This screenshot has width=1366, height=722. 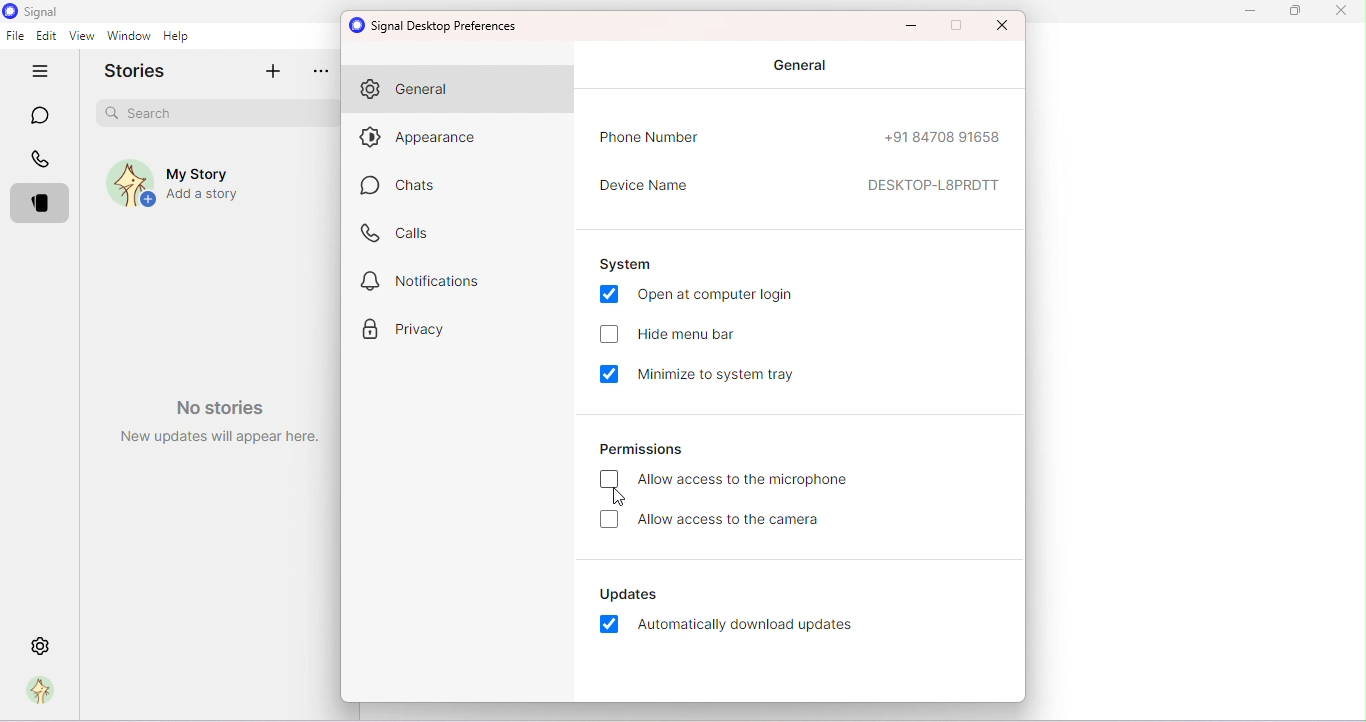 What do you see at coordinates (1003, 26) in the screenshot?
I see `Maximize` at bounding box center [1003, 26].